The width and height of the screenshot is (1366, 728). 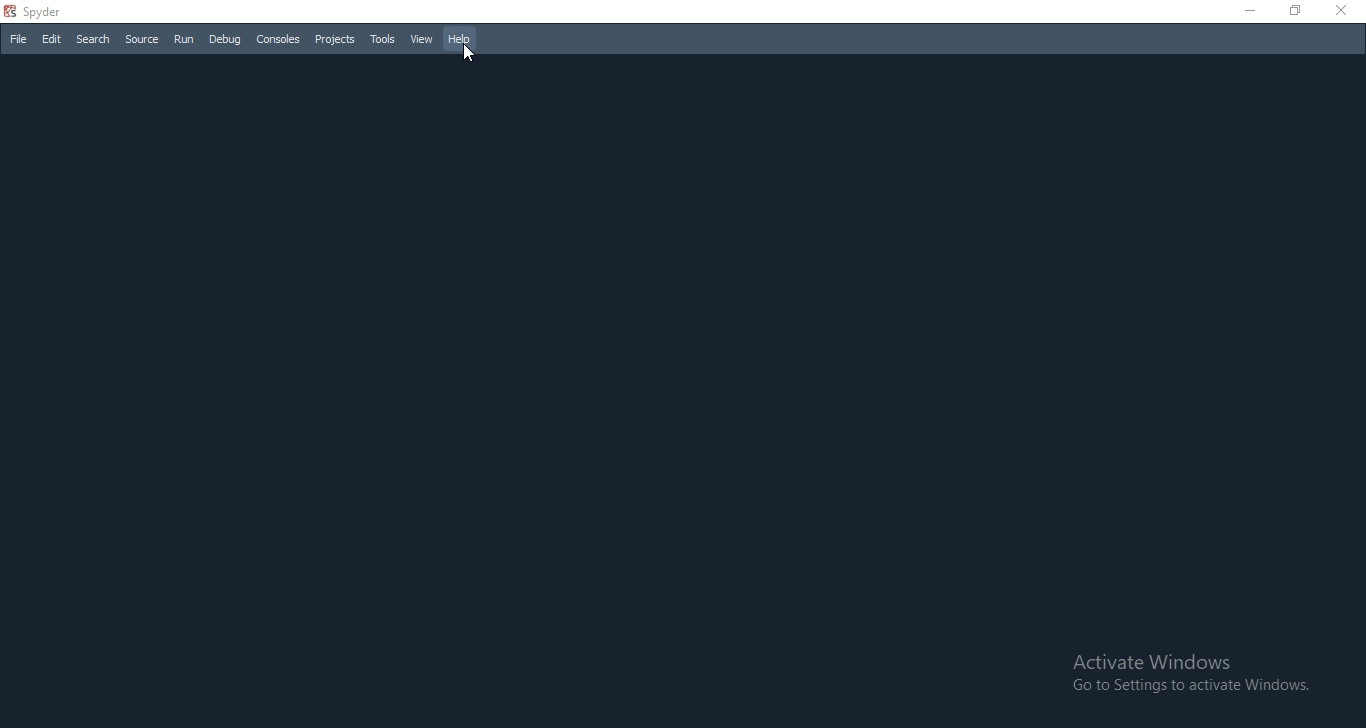 What do you see at coordinates (16, 39) in the screenshot?
I see `File ` at bounding box center [16, 39].